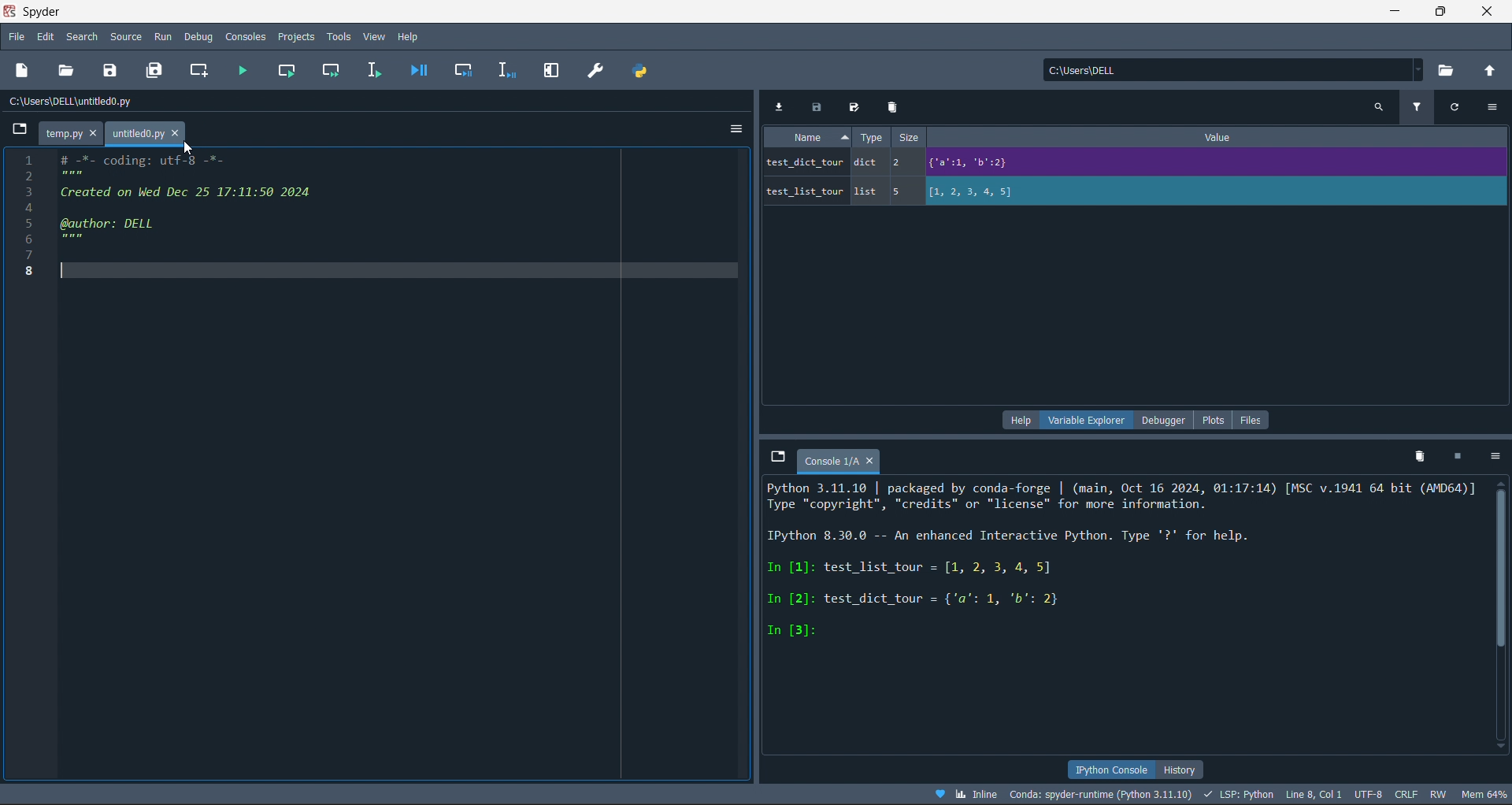 The height and width of the screenshot is (805, 1512). What do you see at coordinates (80, 37) in the screenshot?
I see `search` at bounding box center [80, 37].